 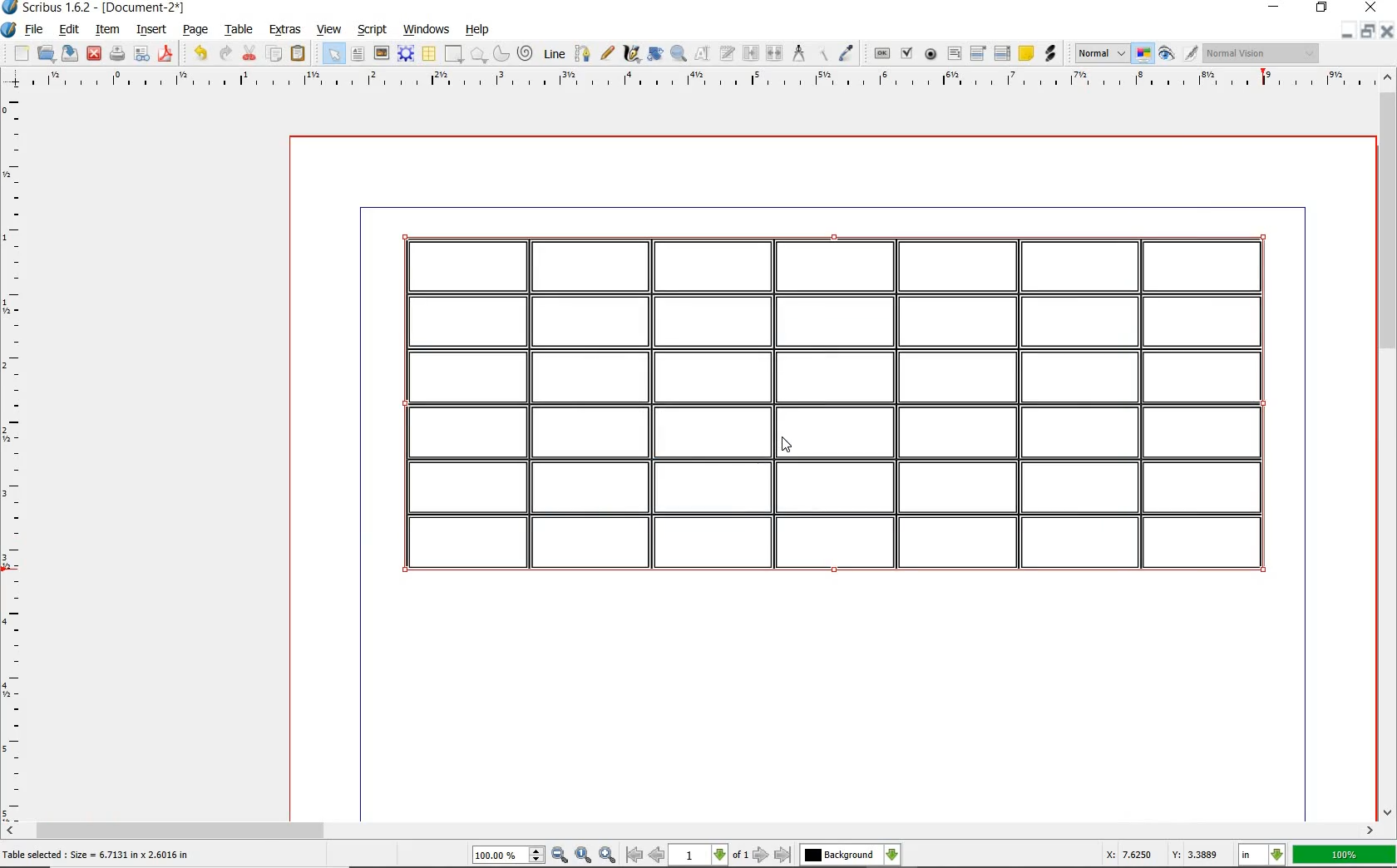 I want to click on view, so click(x=329, y=32).